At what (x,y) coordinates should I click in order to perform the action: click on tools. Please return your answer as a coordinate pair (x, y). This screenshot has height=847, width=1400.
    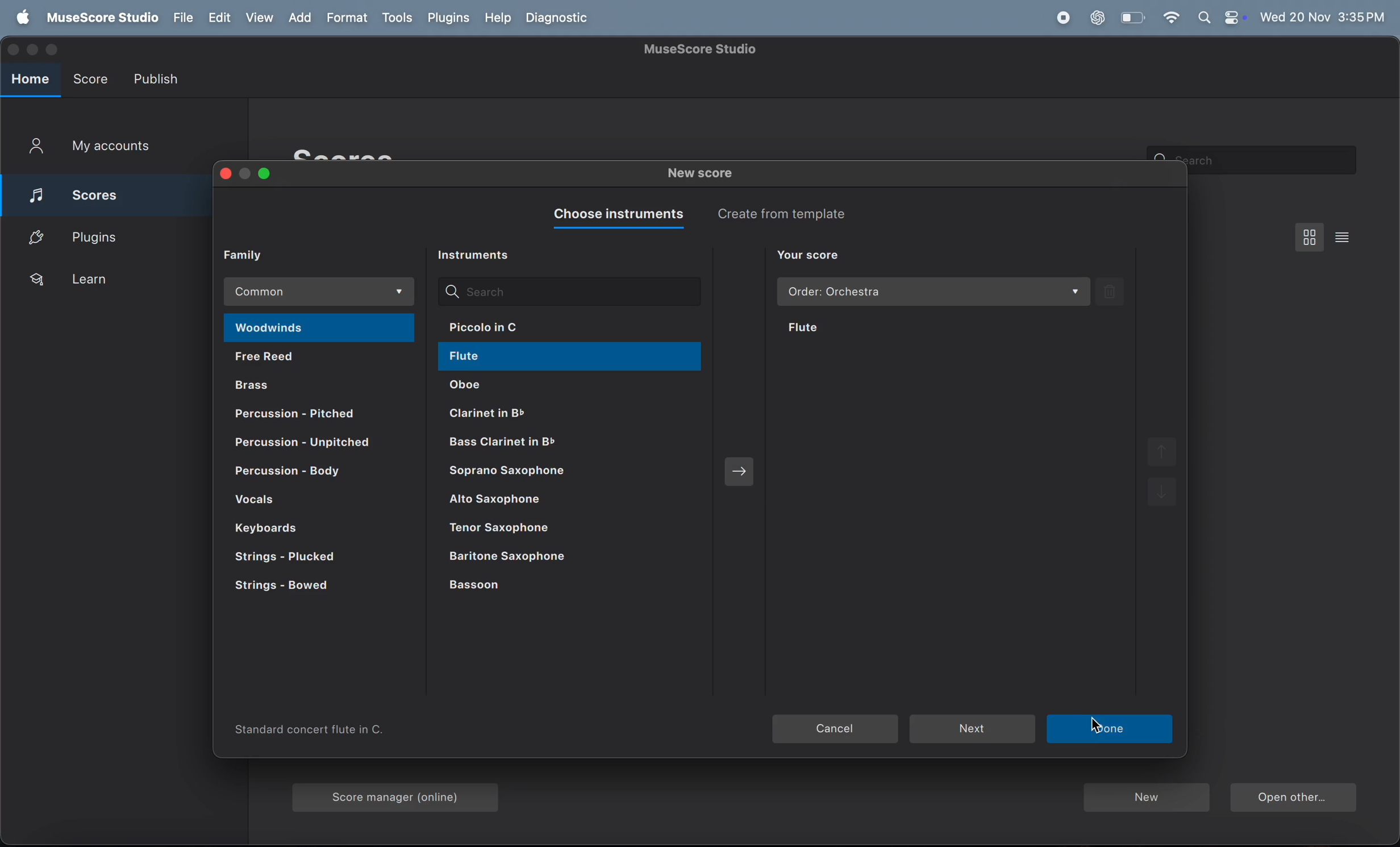
    Looking at the image, I should click on (397, 19).